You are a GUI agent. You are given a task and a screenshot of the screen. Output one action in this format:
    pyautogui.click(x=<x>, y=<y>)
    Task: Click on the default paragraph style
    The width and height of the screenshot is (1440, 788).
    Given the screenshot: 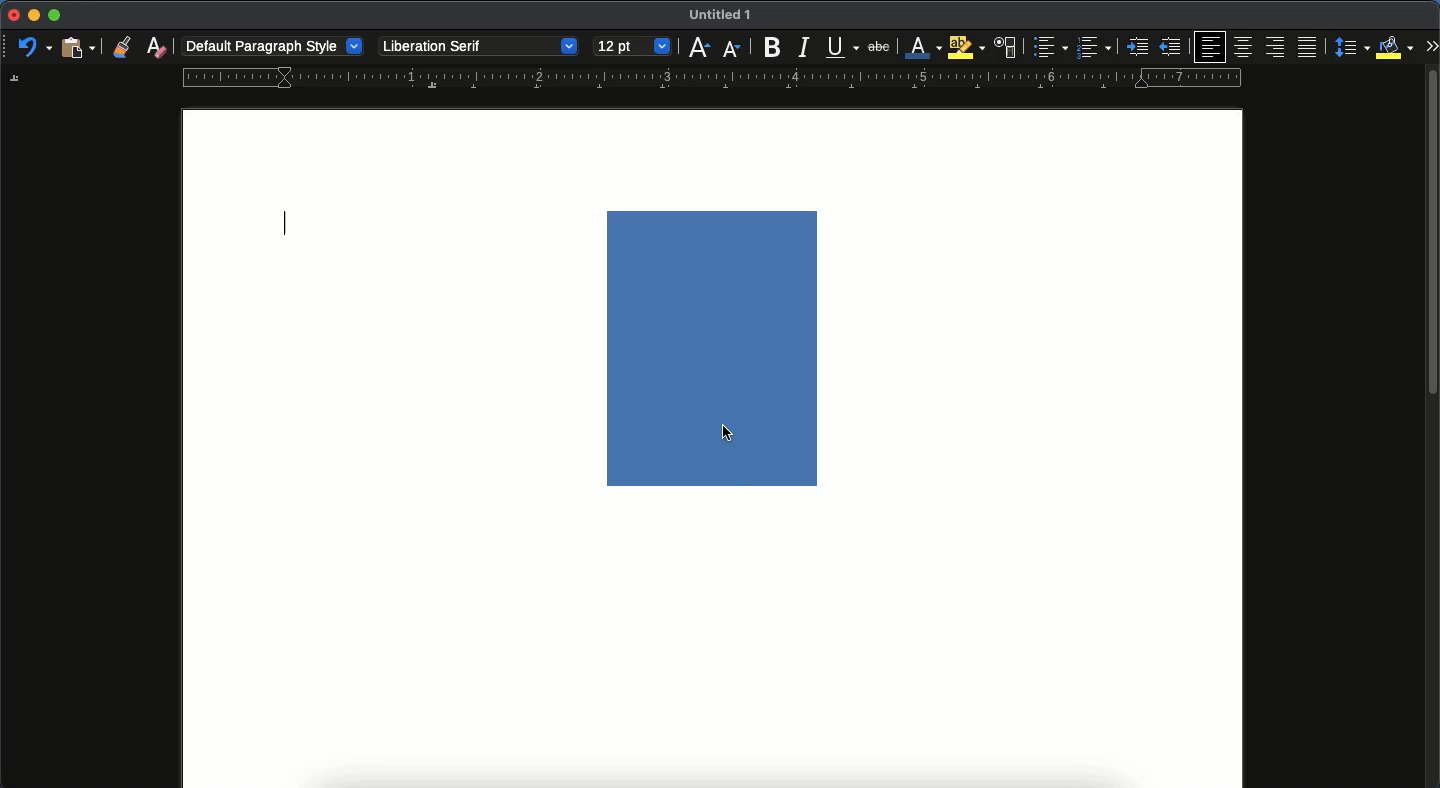 What is the action you would take?
    pyautogui.click(x=272, y=47)
    